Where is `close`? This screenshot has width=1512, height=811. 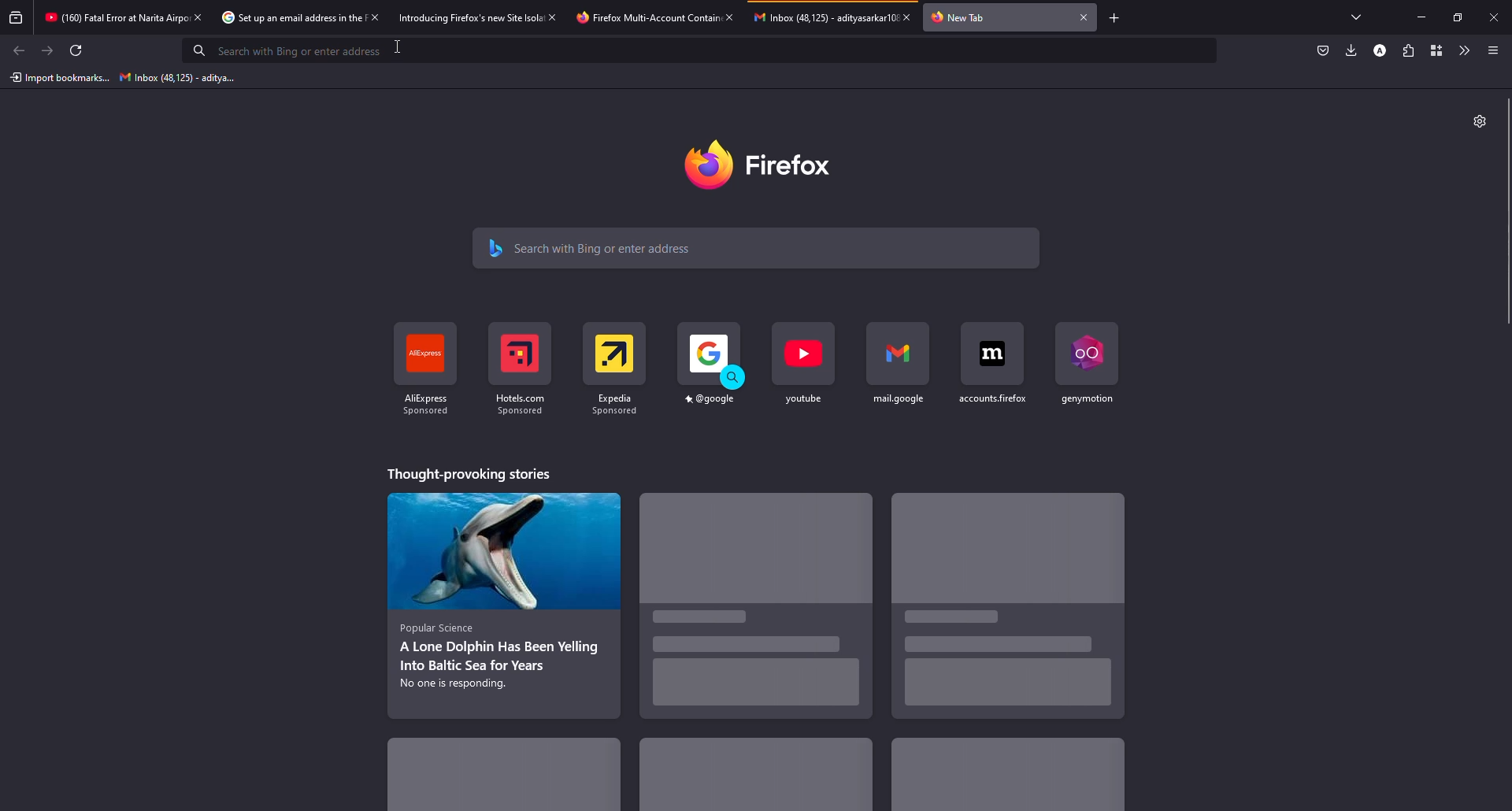 close is located at coordinates (731, 17).